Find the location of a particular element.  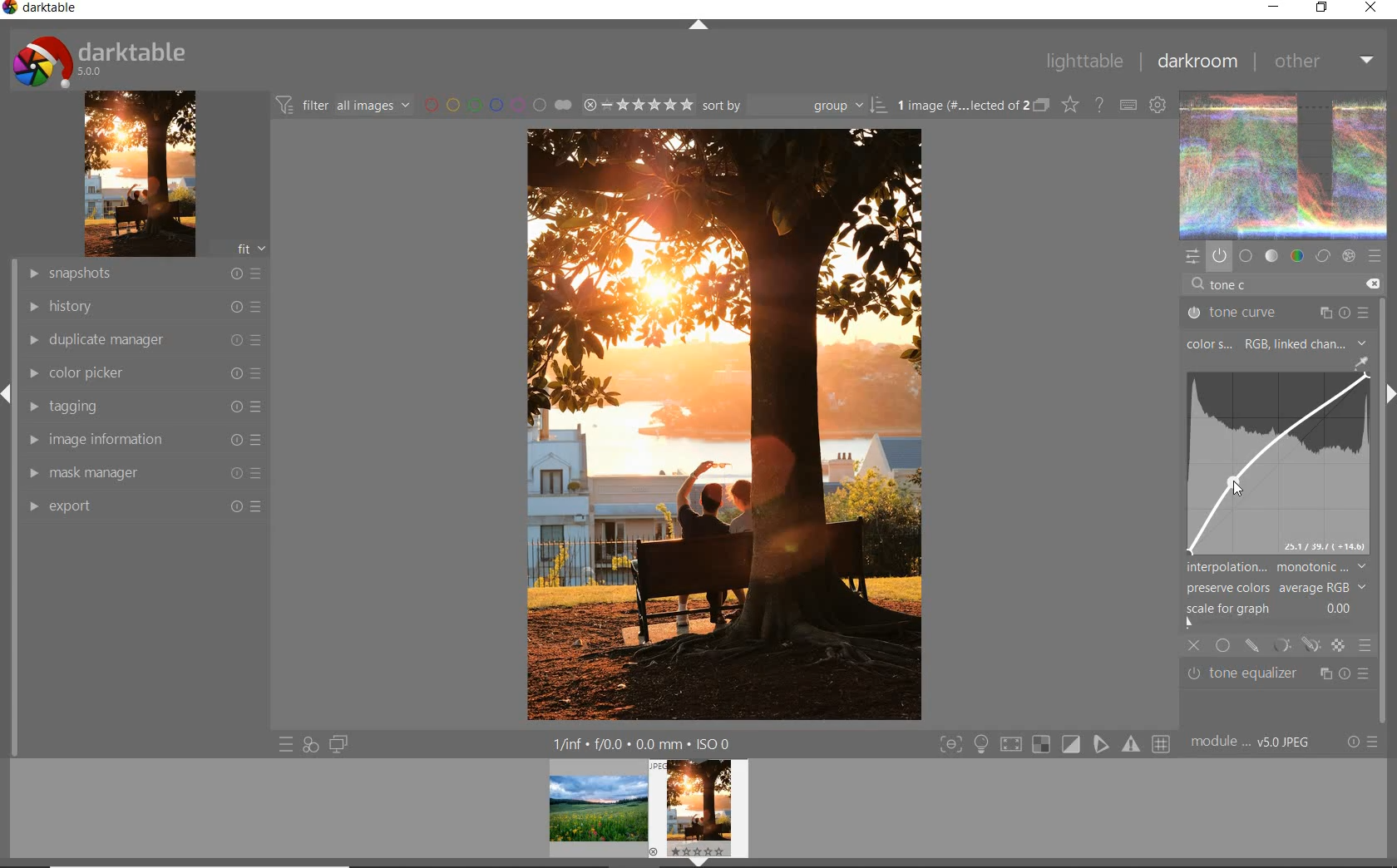

COLOR SPACE is located at coordinates (1211, 345).